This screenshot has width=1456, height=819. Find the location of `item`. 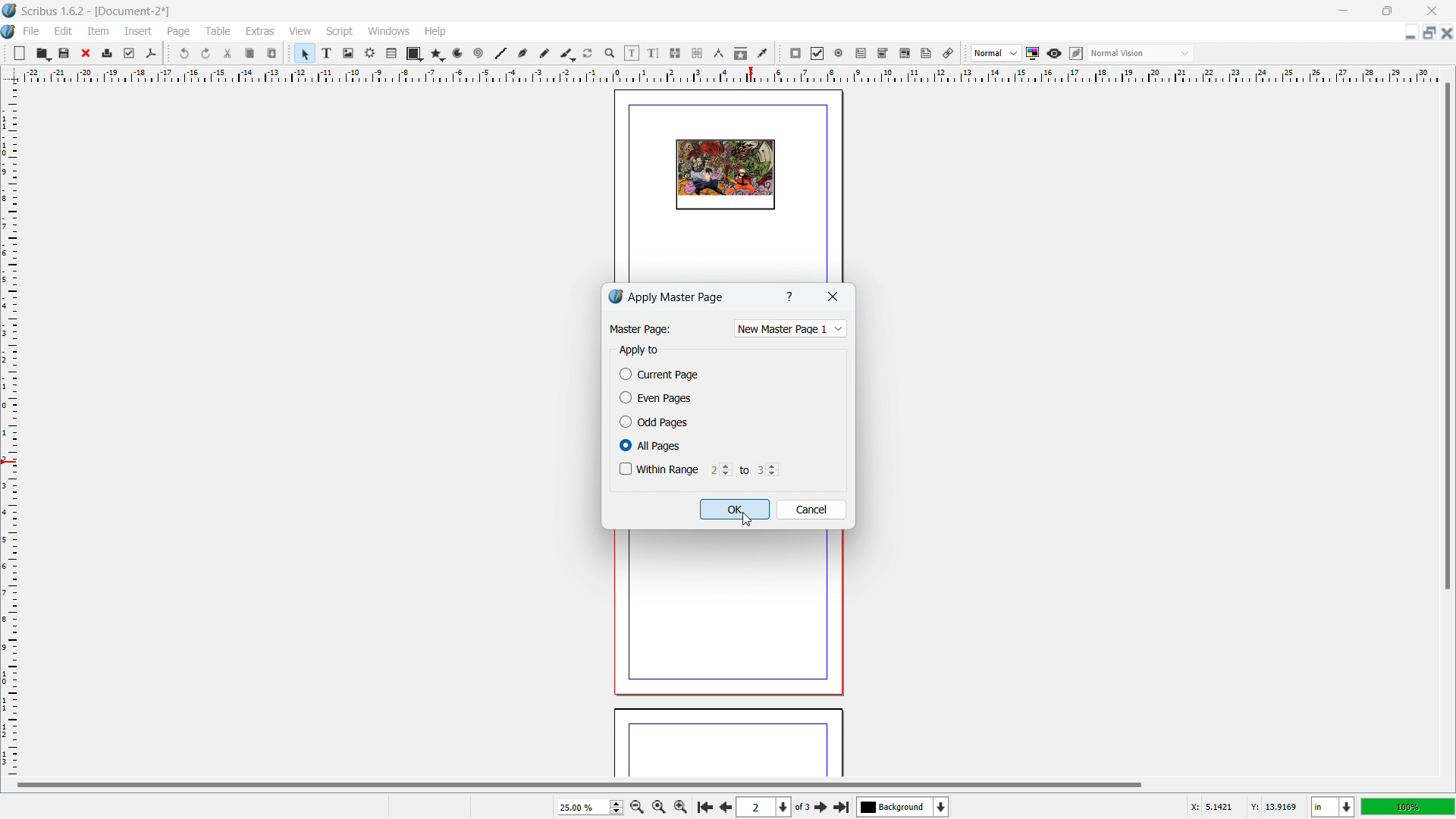

item is located at coordinates (99, 30).